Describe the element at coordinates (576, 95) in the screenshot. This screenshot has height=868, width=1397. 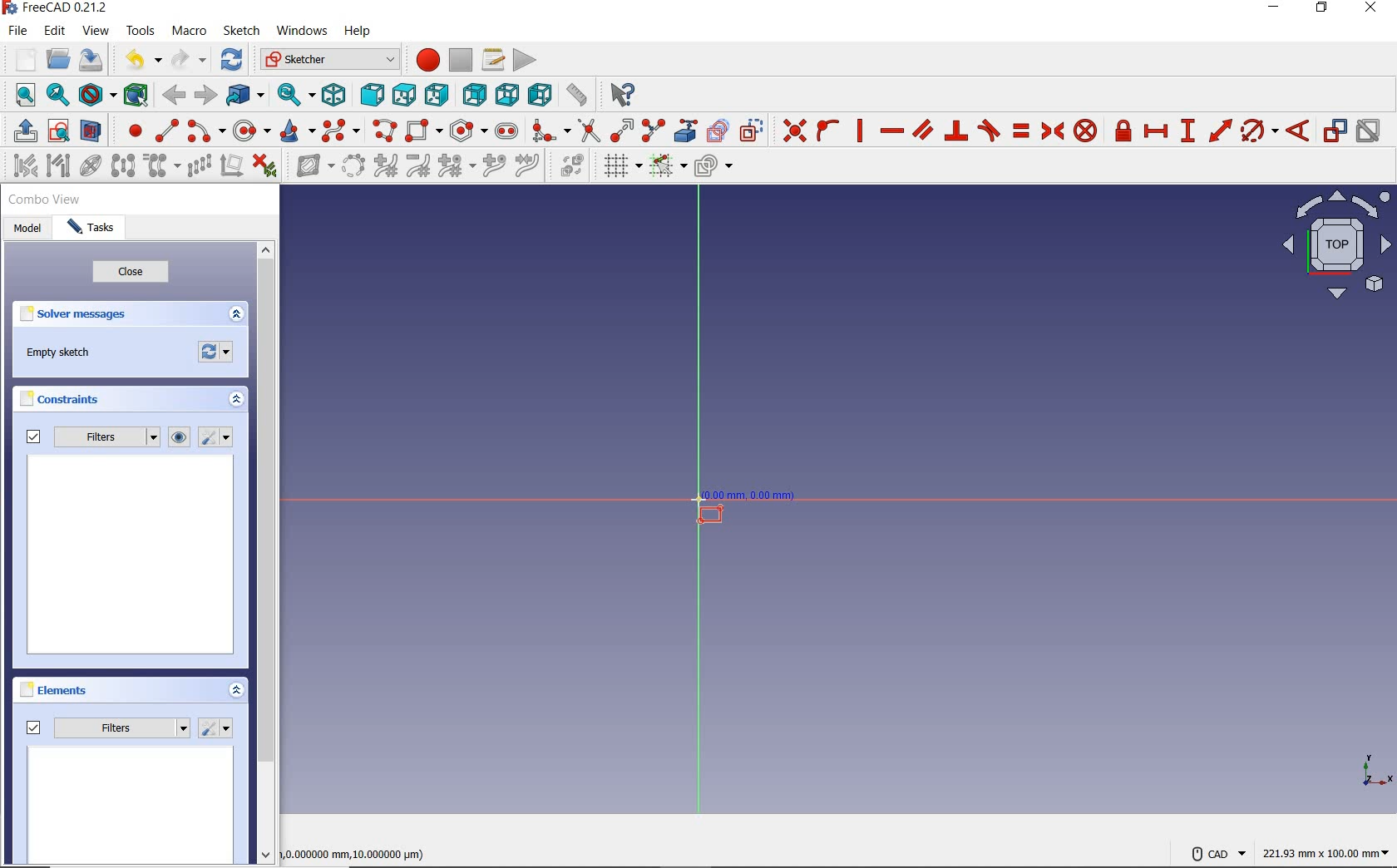
I see `measure distance` at that location.